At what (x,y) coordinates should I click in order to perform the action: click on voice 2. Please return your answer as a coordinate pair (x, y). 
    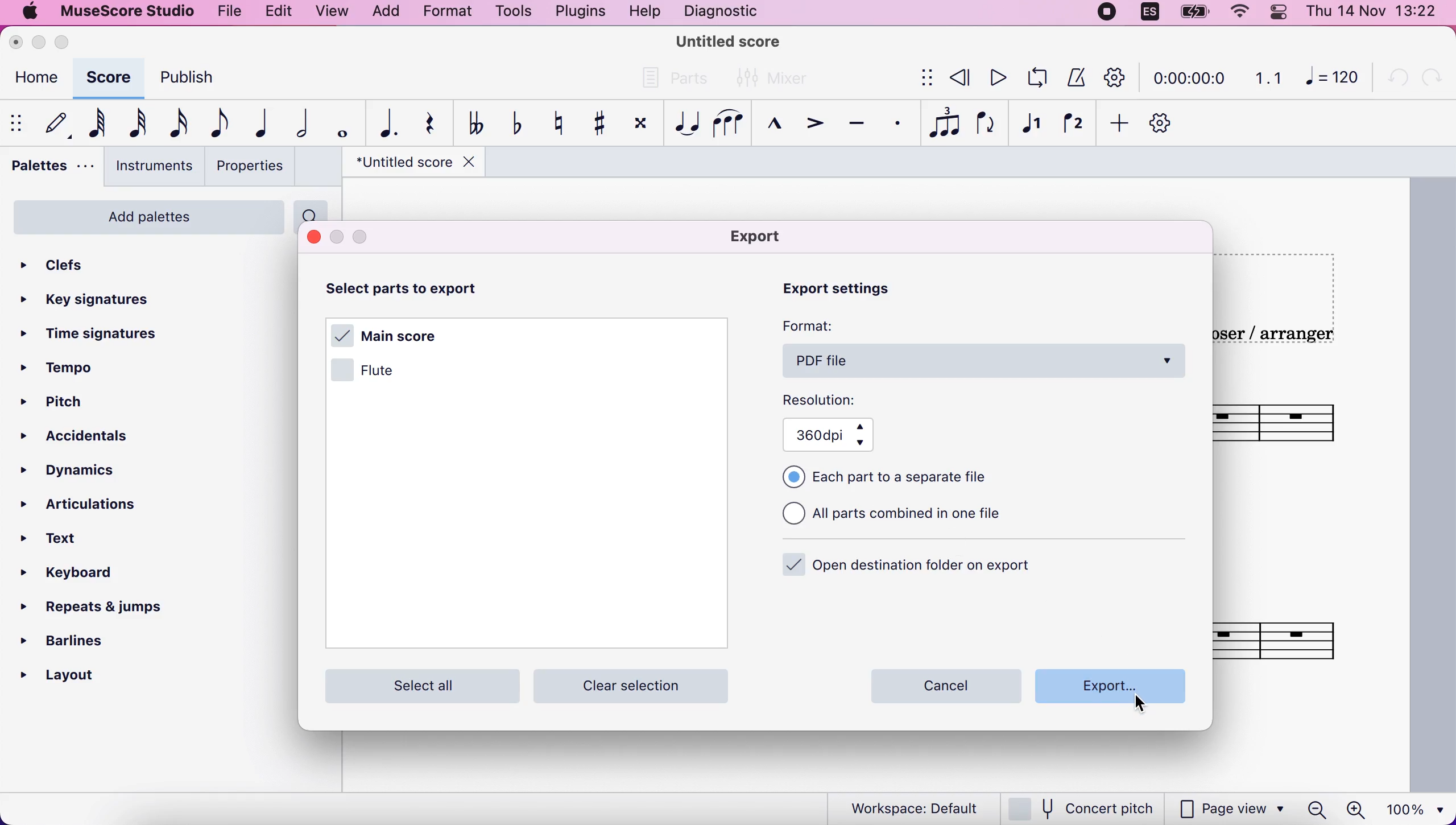
    Looking at the image, I should click on (1071, 125).